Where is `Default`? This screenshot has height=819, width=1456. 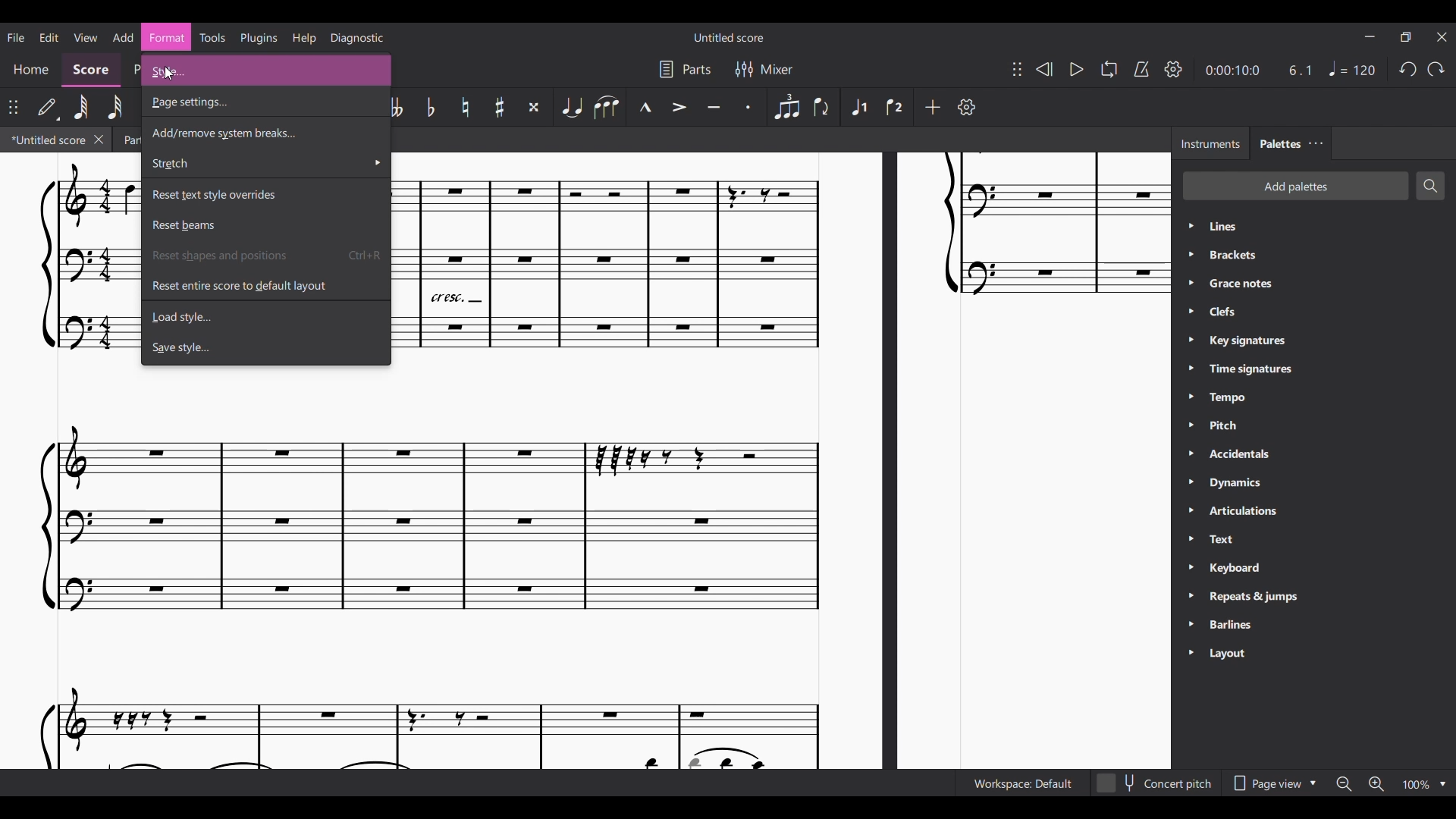
Default is located at coordinates (49, 108).